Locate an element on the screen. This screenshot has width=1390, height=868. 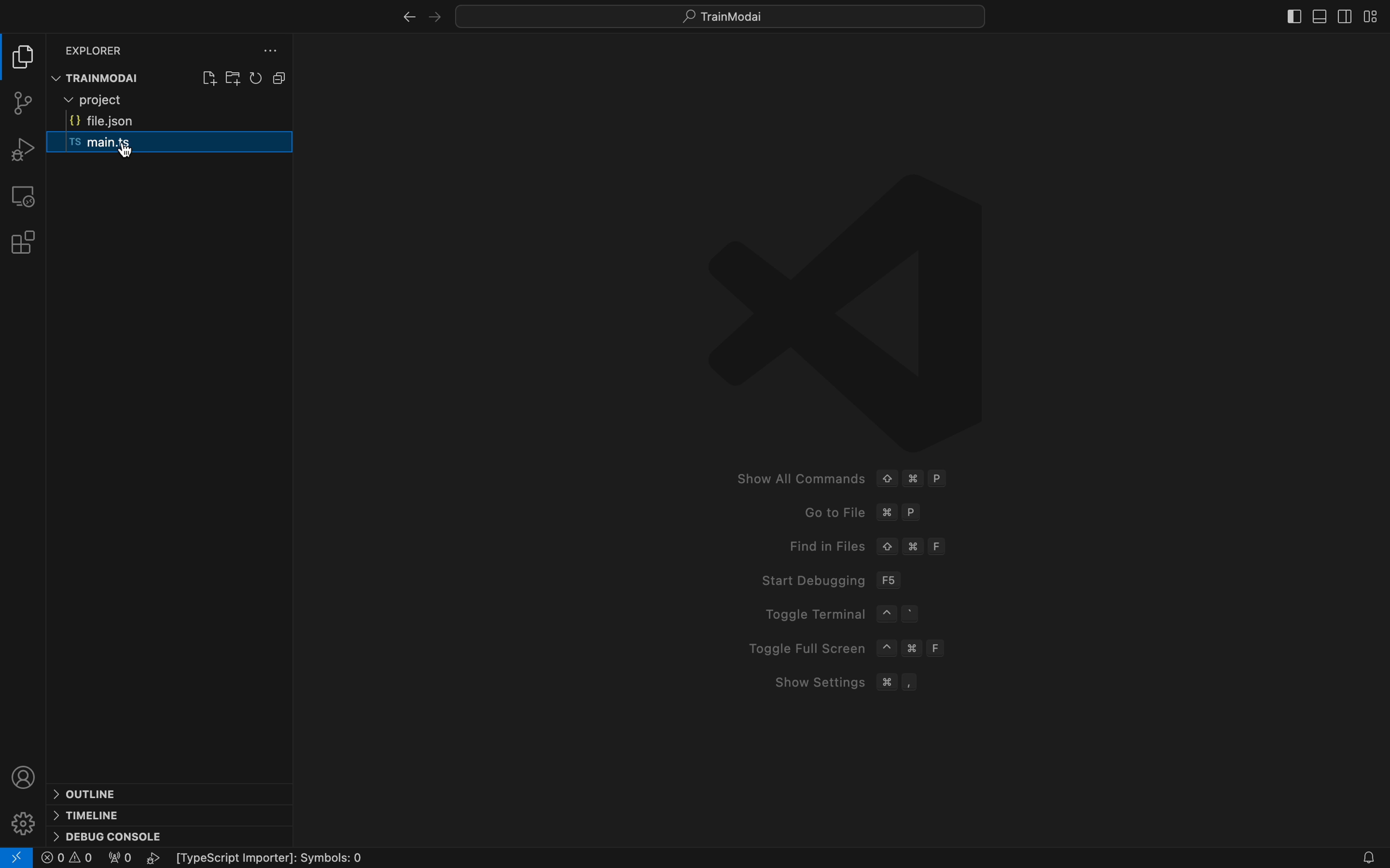
Start Debugging F56 is located at coordinates (822, 580).